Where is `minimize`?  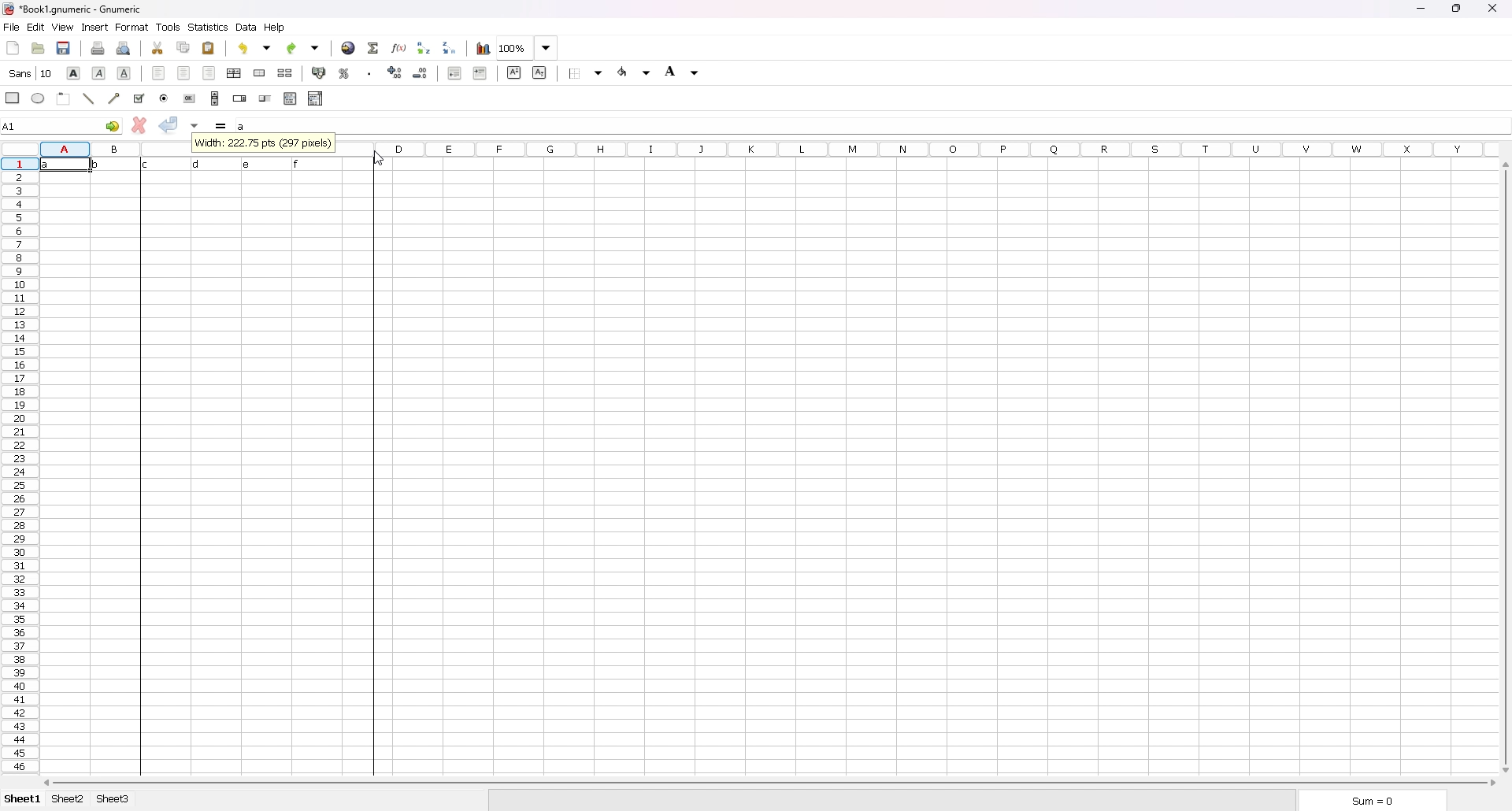 minimize is located at coordinates (1420, 9).